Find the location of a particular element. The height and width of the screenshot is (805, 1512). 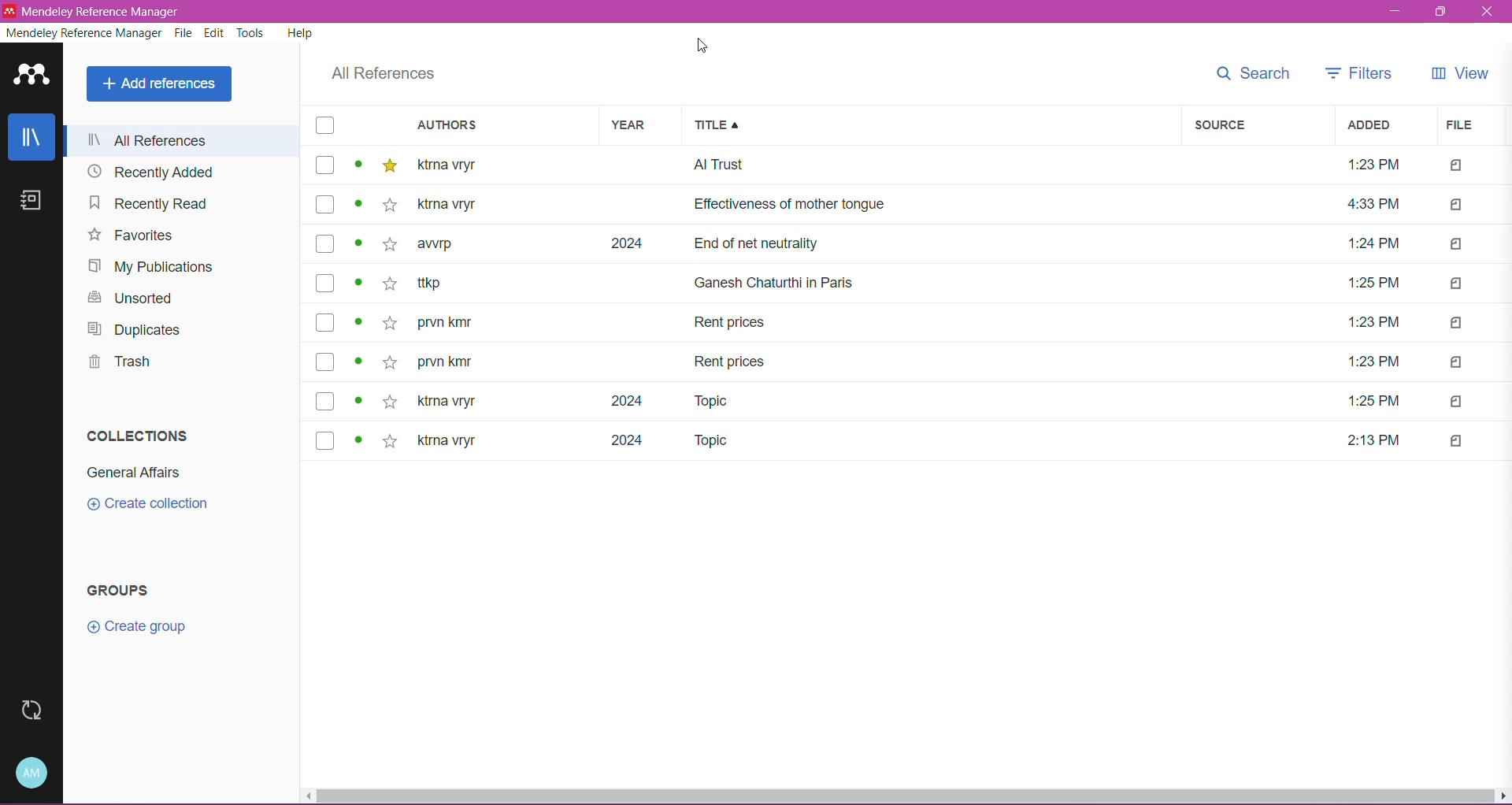

Recently Read is located at coordinates (145, 202).